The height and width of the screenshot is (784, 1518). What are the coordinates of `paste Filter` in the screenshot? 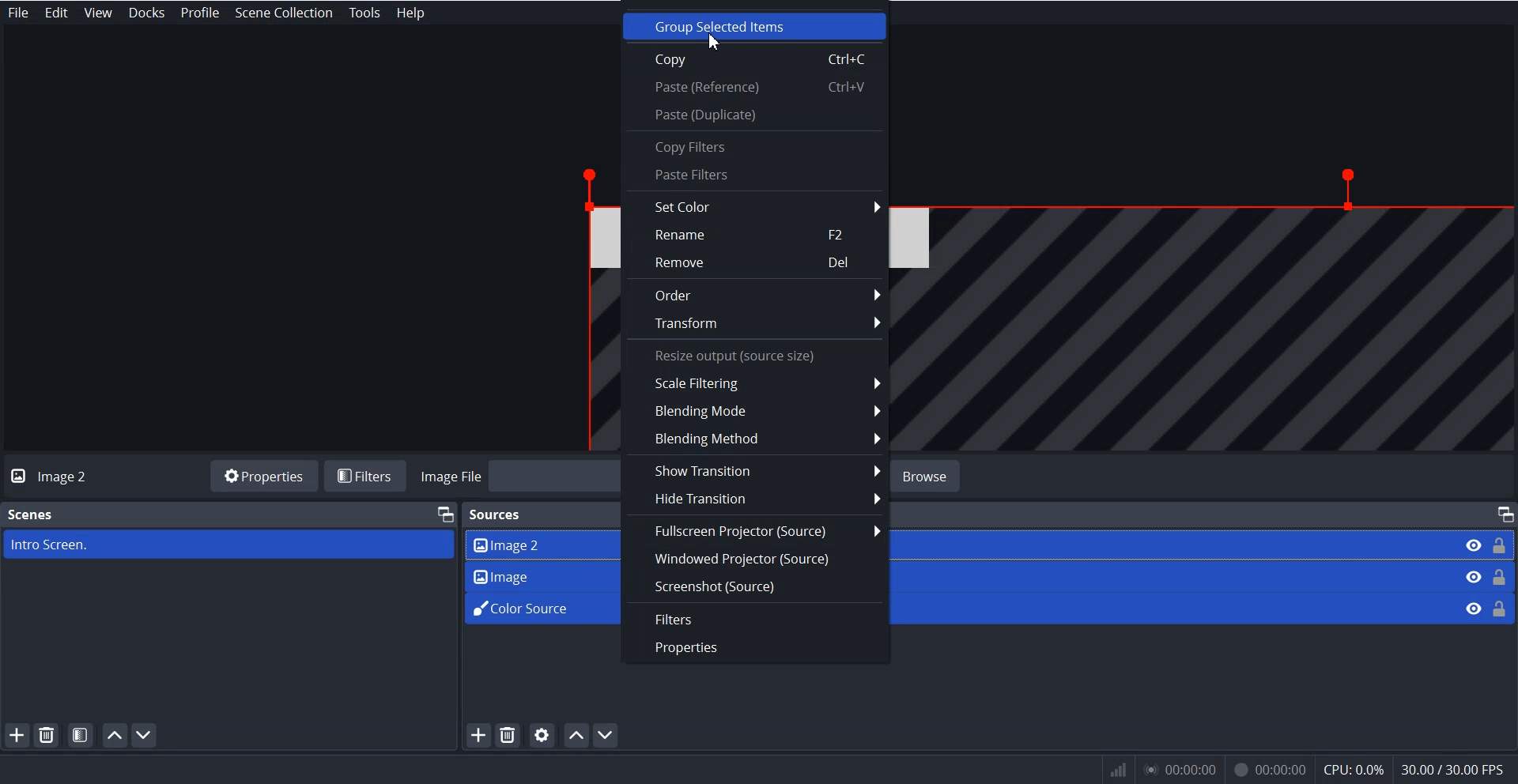 It's located at (754, 176).